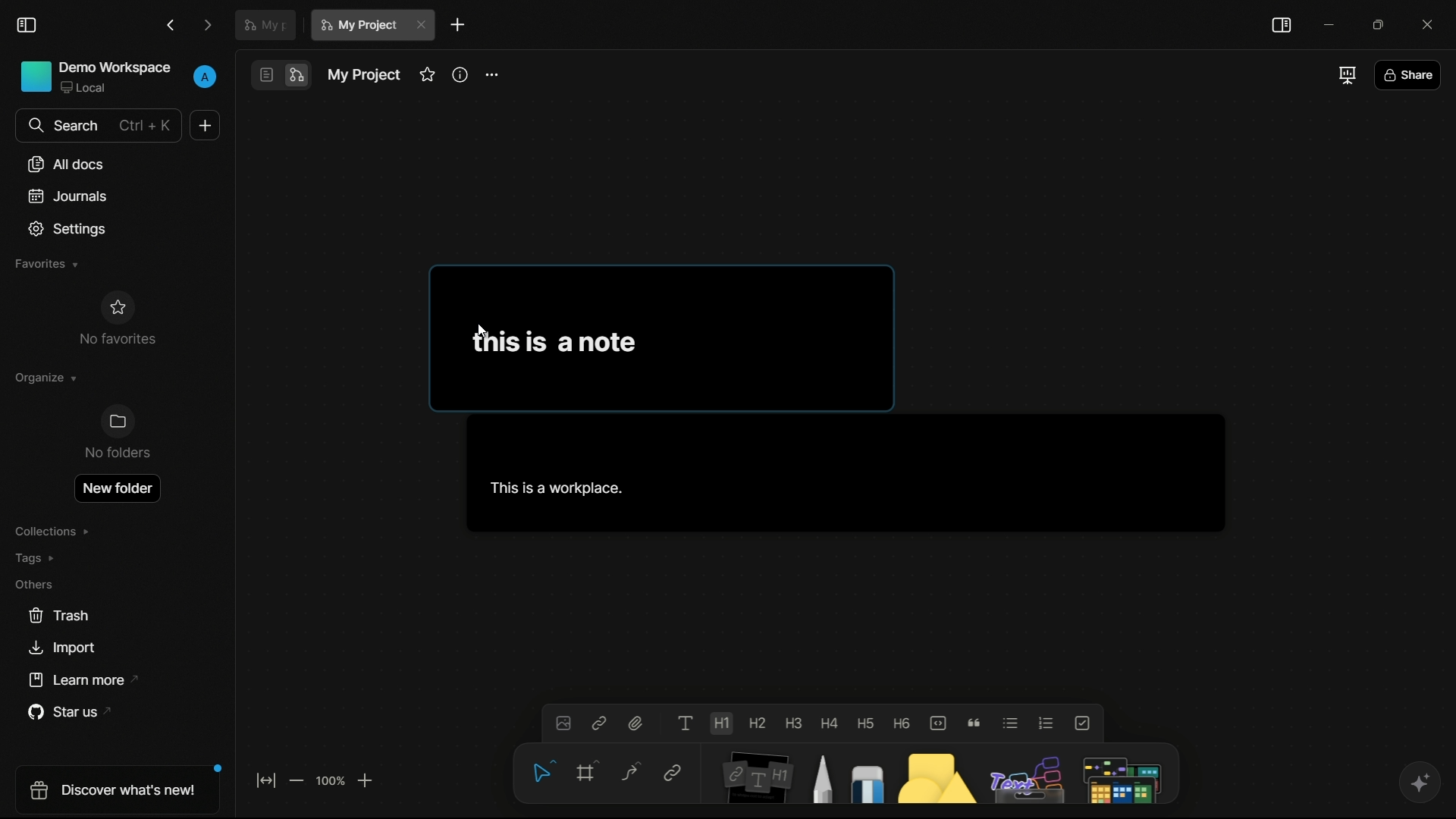 Image resolution: width=1456 pixels, height=819 pixels. I want to click on star us, so click(61, 713).